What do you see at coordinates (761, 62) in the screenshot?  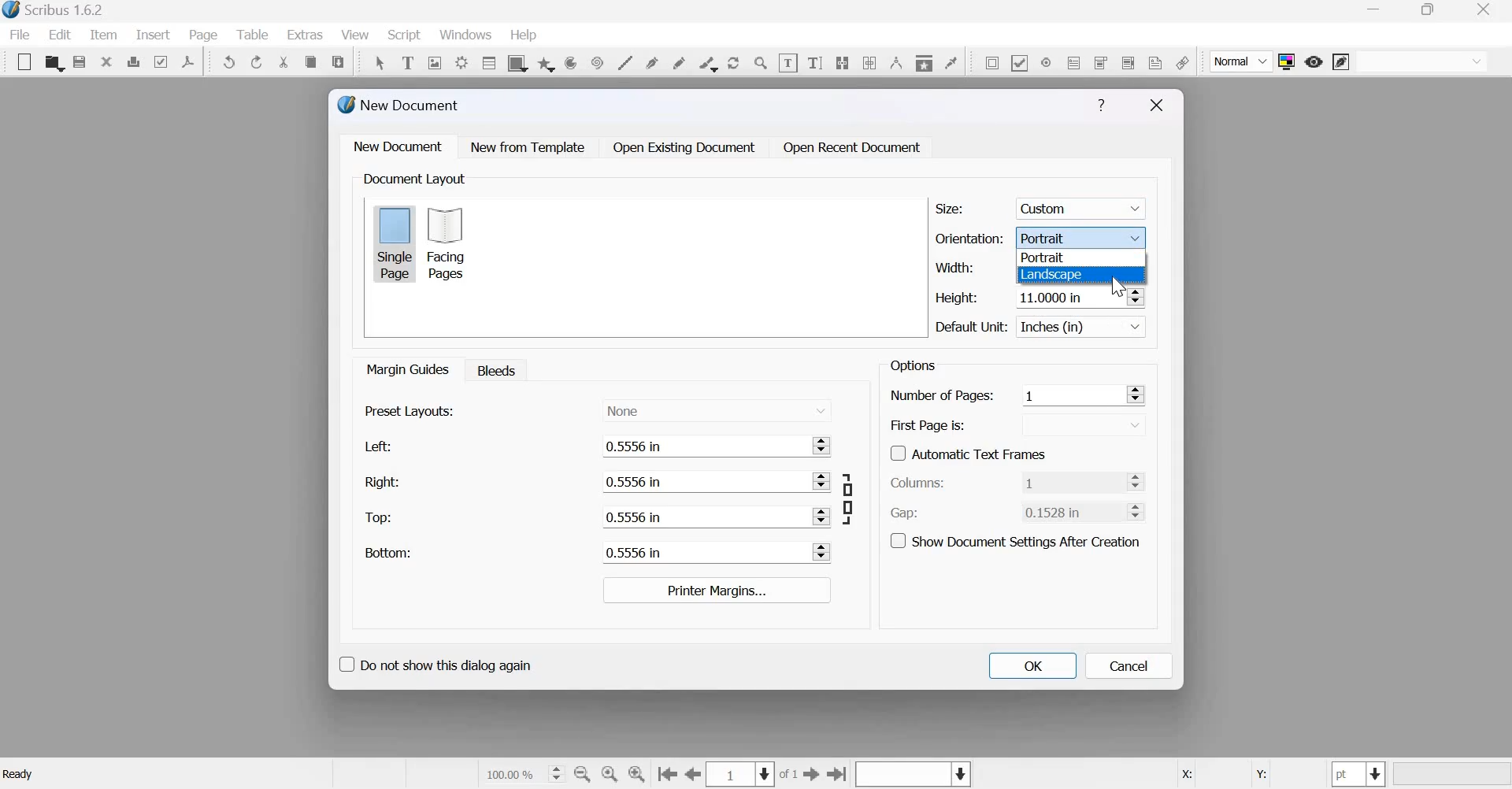 I see `Zoom in or zoom out` at bounding box center [761, 62].